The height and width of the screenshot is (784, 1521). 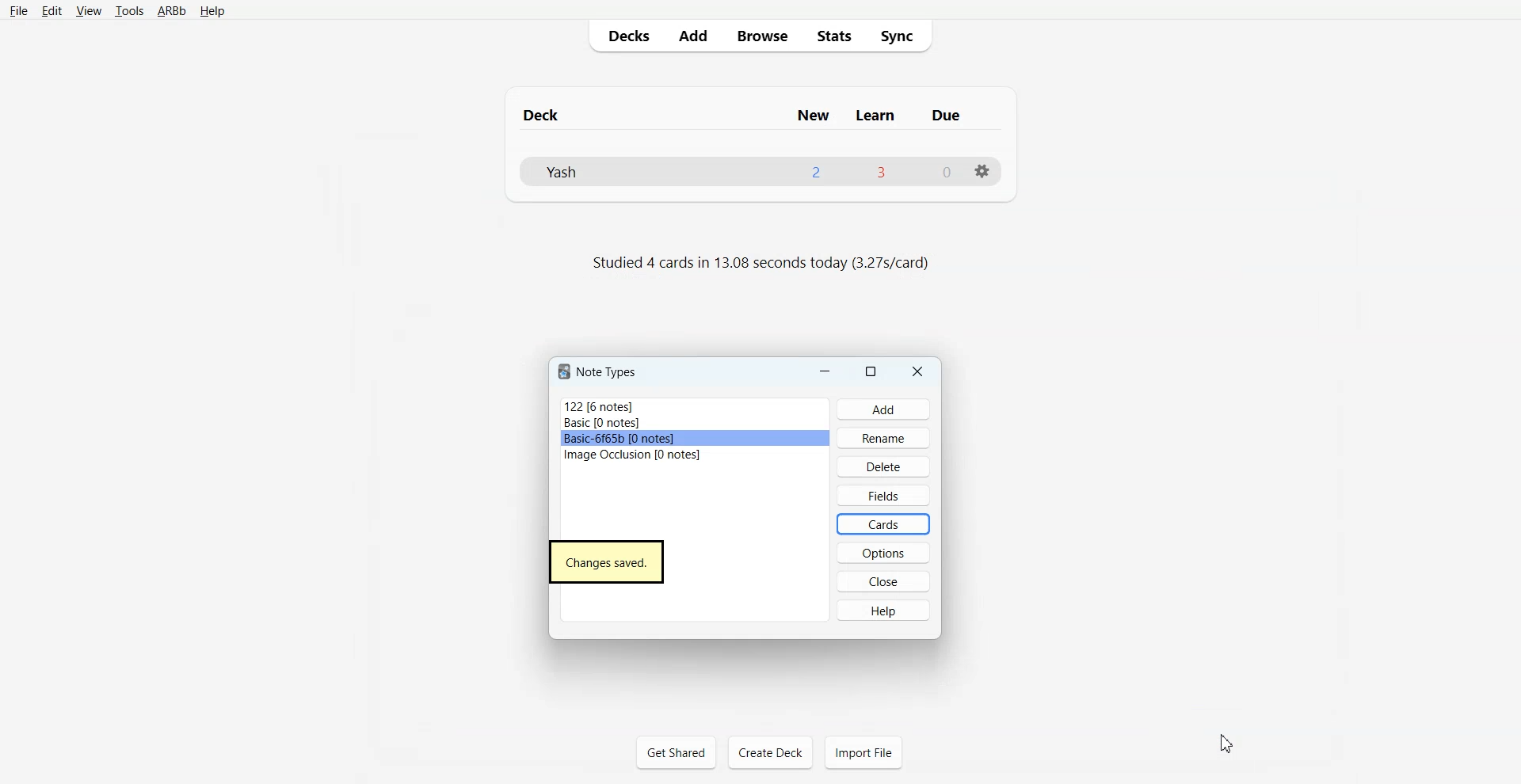 I want to click on Import File, so click(x=863, y=752).